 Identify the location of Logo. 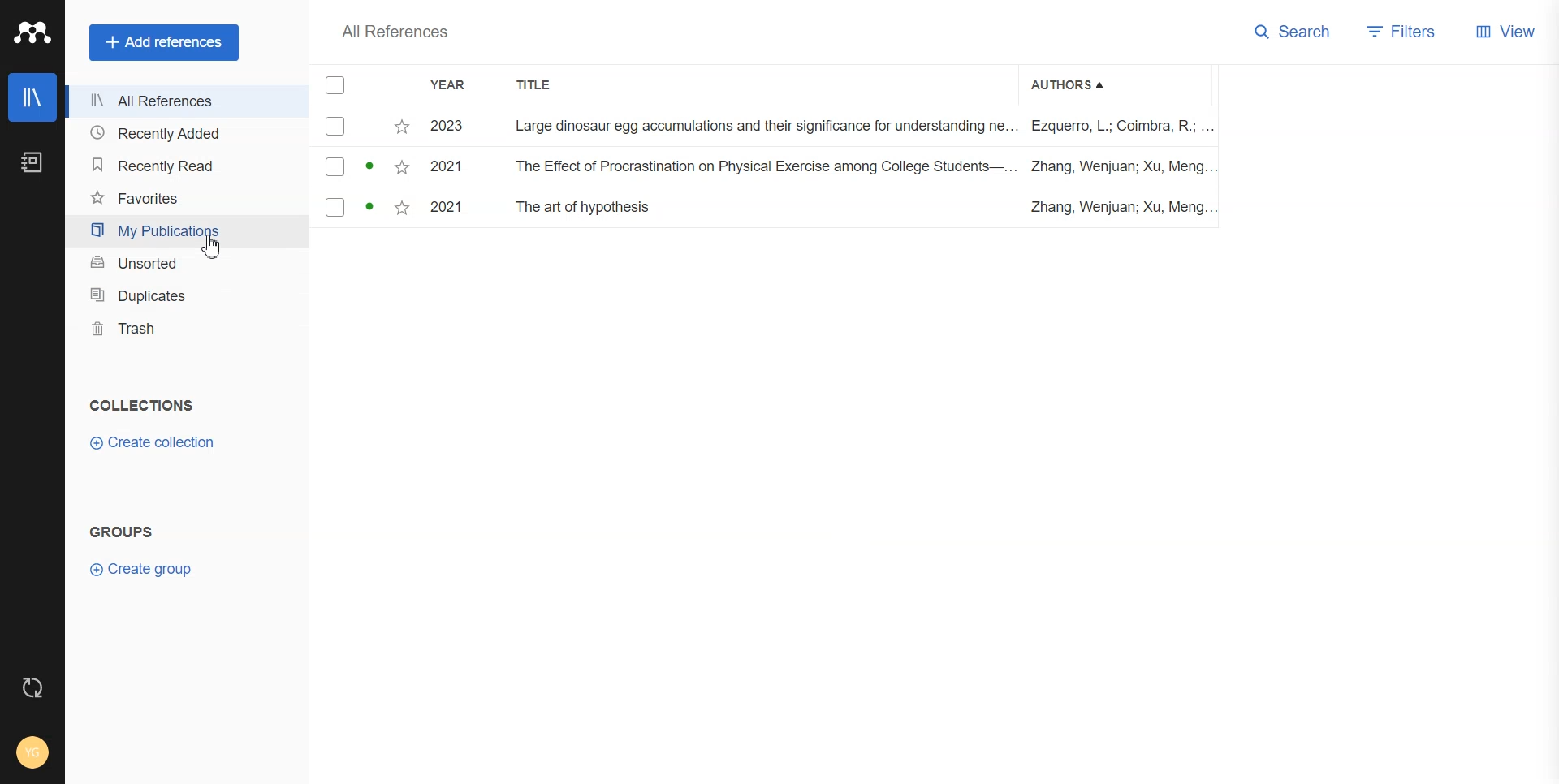
(31, 32).